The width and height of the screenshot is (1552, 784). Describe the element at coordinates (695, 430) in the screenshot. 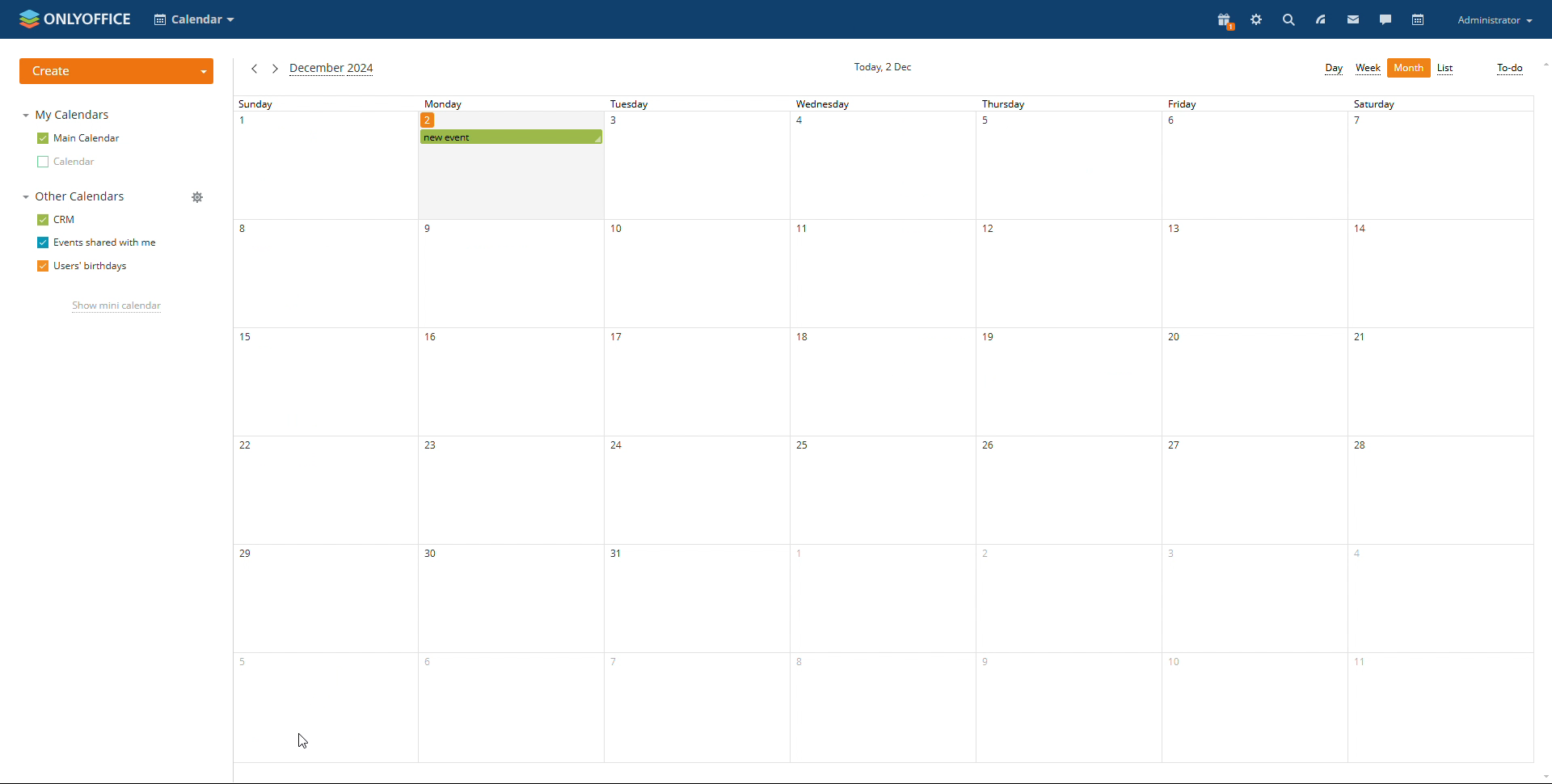

I see `tuesday` at that location.